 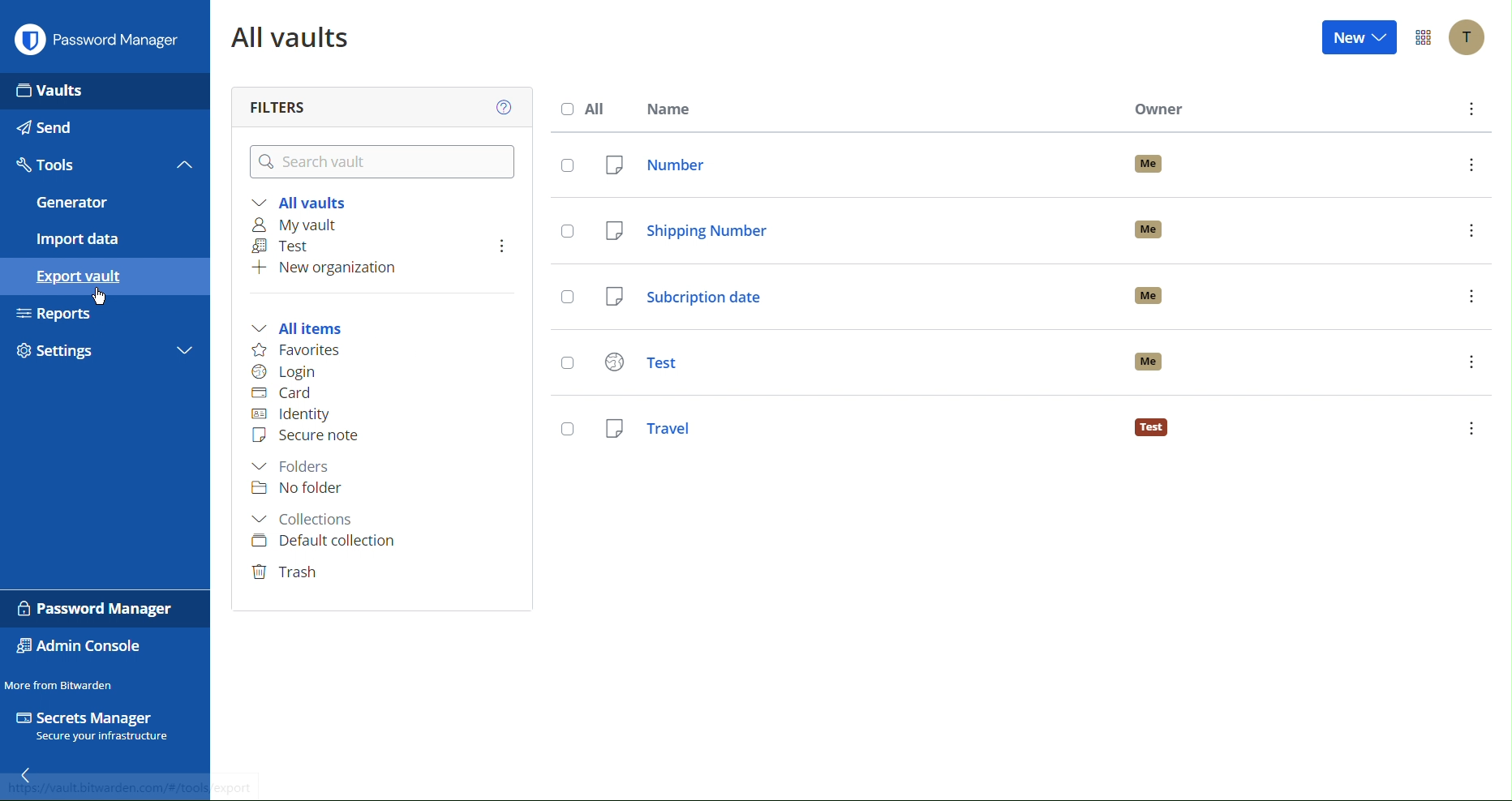 What do you see at coordinates (283, 246) in the screenshot?
I see `Test` at bounding box center [283, 246].